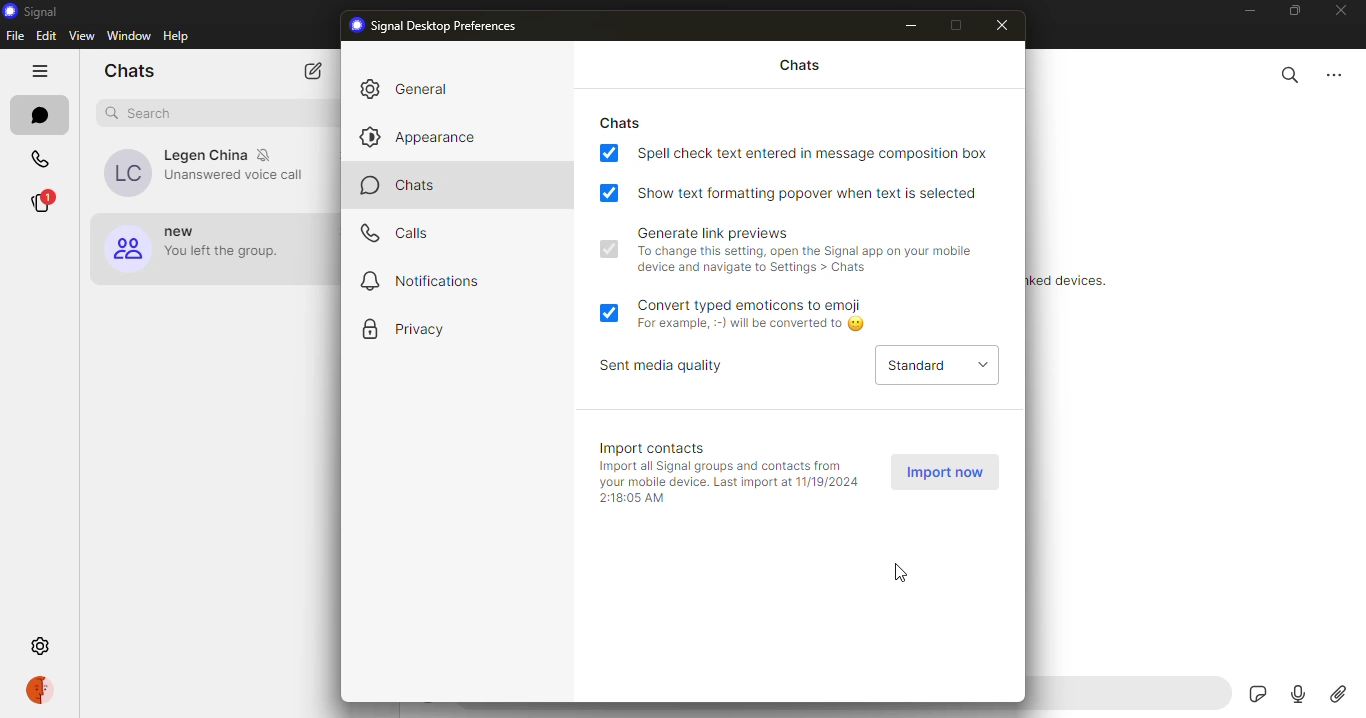 This screenshot has width=1366, height=718. Describe the element at coordinates (714, 233) in the screenshot. I see `generate link preview` at that location.